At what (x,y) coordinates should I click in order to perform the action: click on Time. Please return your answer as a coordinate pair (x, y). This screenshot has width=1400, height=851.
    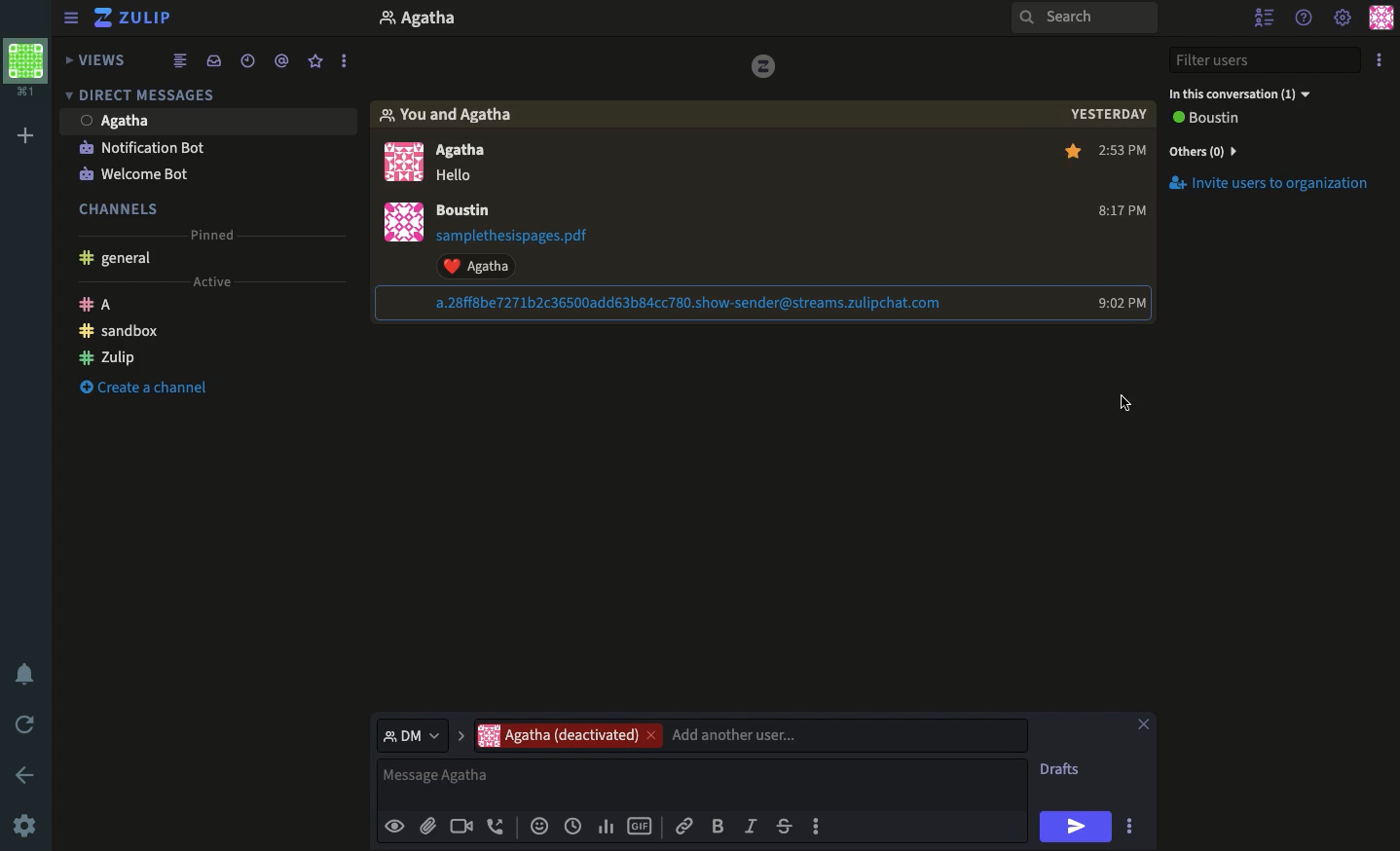
    Looking at the image, I should click on (1123, 149).